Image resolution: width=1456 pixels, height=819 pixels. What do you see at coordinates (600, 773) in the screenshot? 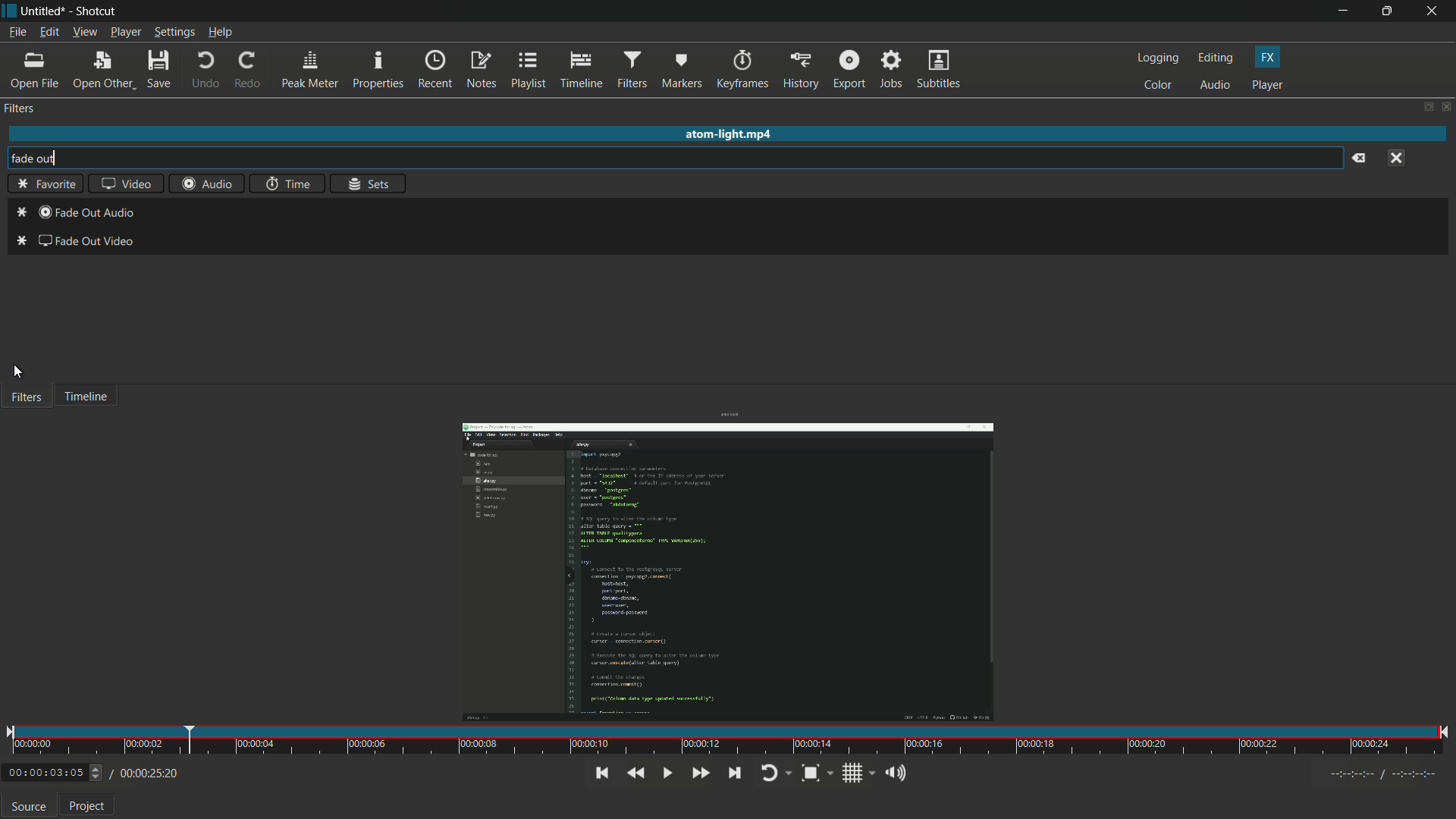
I see `skip to the previous point` at bounding box center [600, 773].